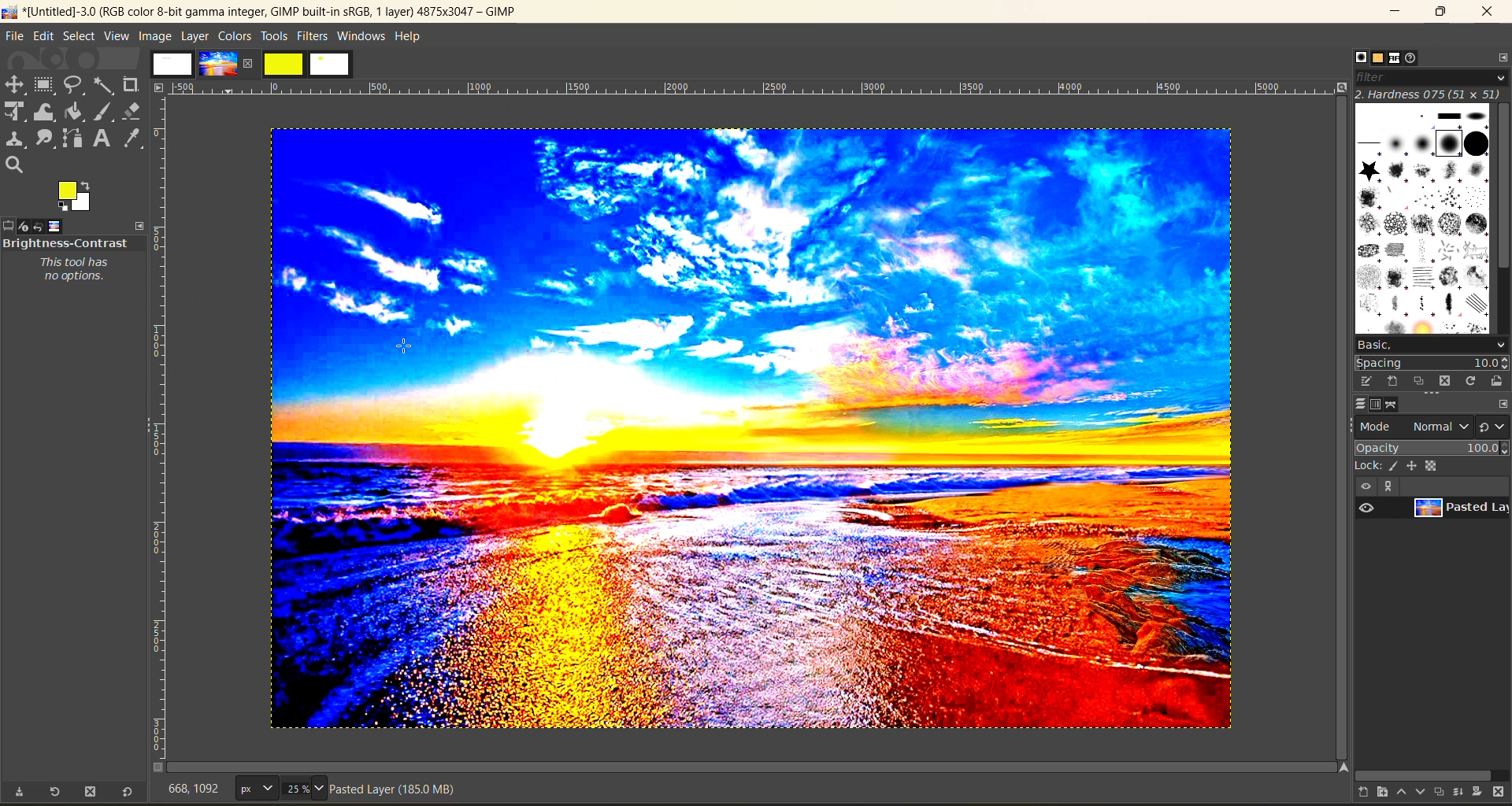 The height and width of the screenshot is (806, 1512). I want to click on delete brush, so click(1448, 383).